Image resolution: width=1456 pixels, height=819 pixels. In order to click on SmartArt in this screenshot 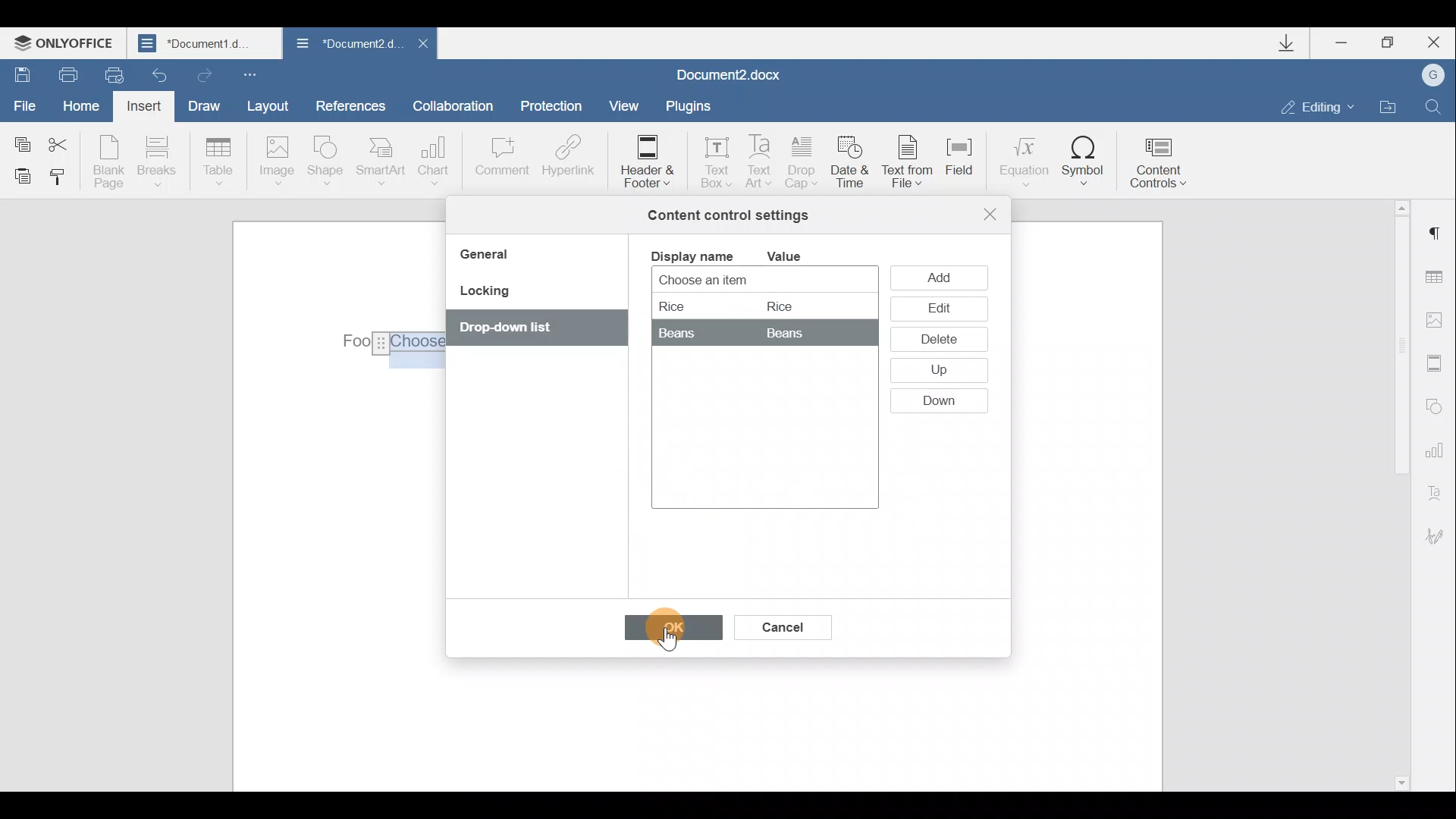, I will do `click(381, 160)`.